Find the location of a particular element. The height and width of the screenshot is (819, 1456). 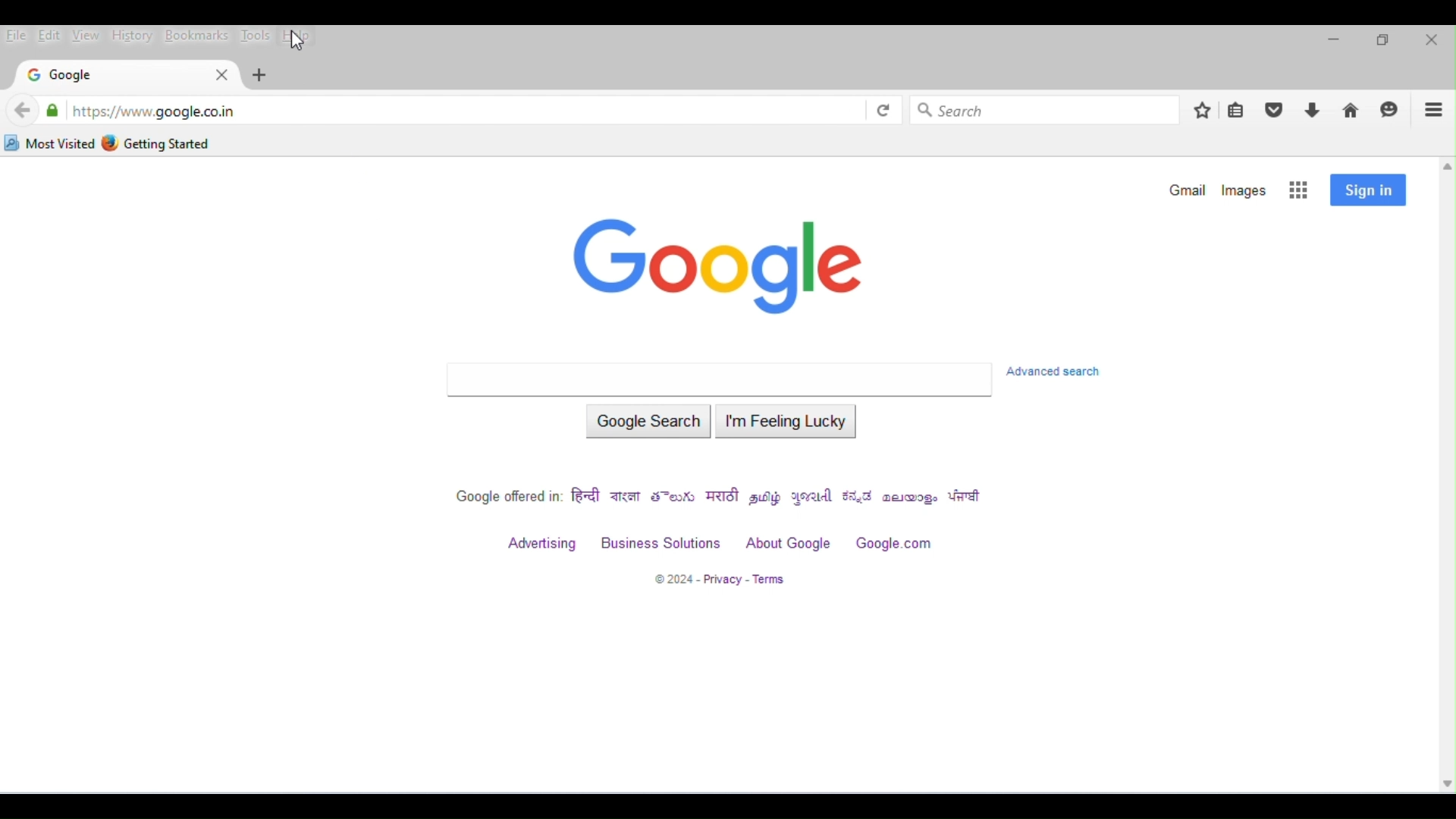

malayalam is located at coordinates (912, 499).